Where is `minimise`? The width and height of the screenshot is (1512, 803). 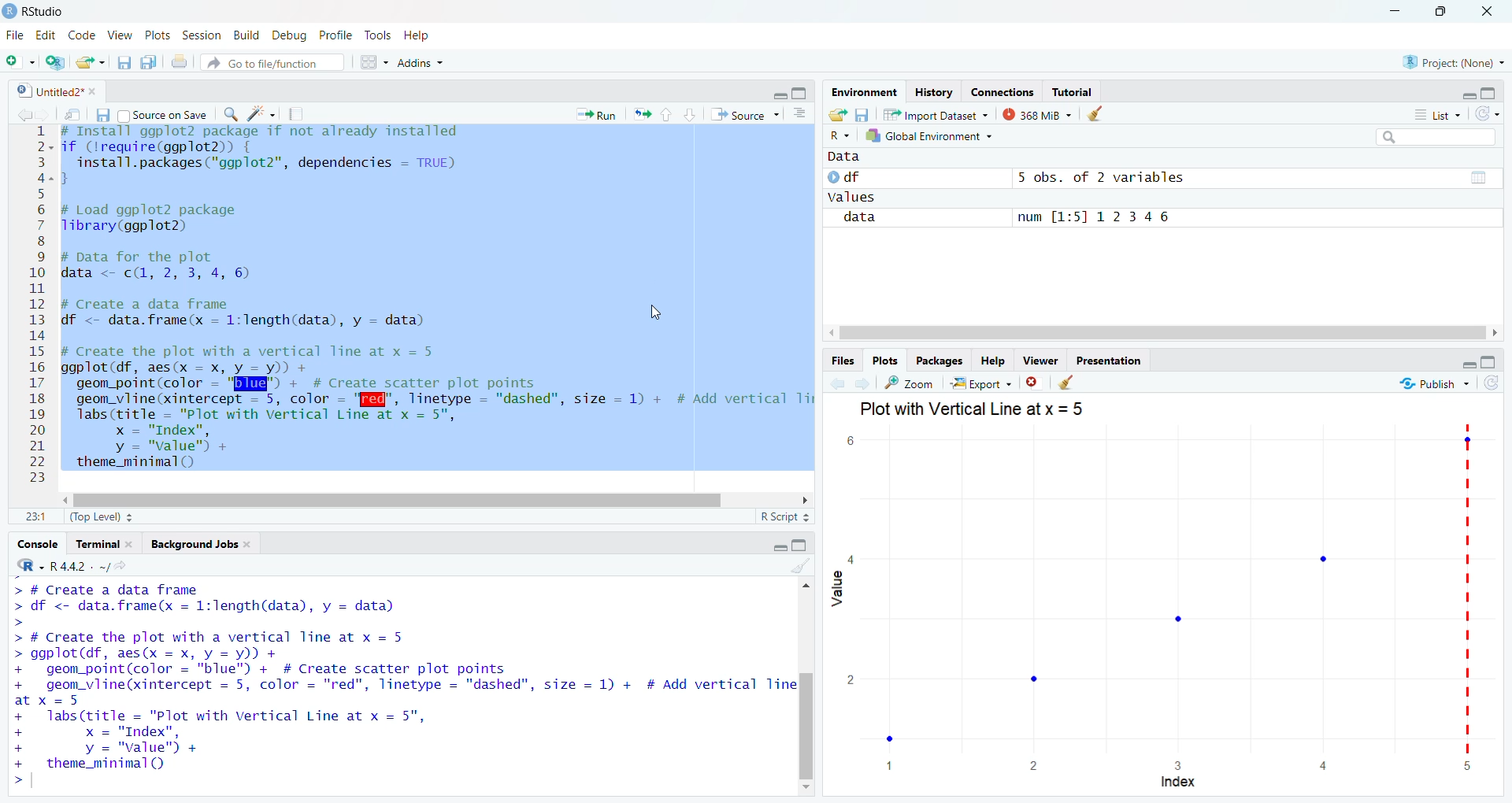
minimise is located at coordinates (1395, 6).